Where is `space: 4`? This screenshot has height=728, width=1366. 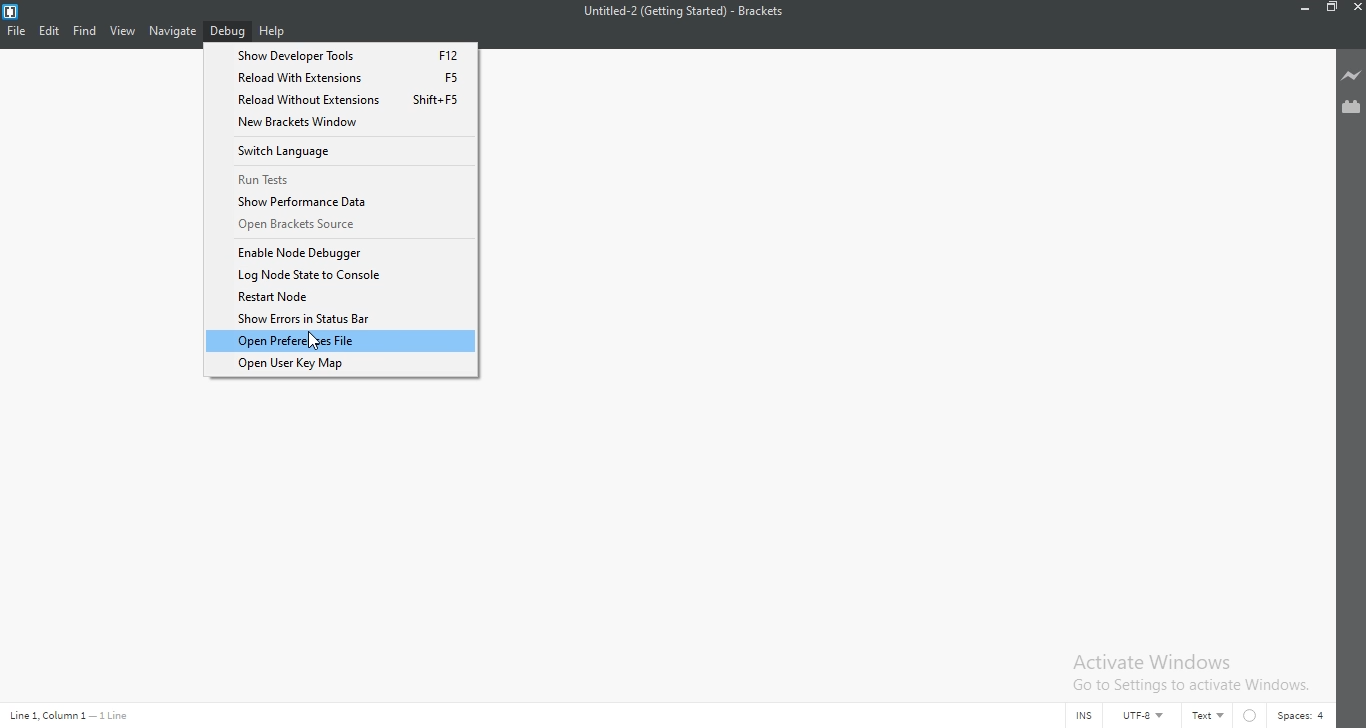
space: 4 is located at coordinates (1304, 716).